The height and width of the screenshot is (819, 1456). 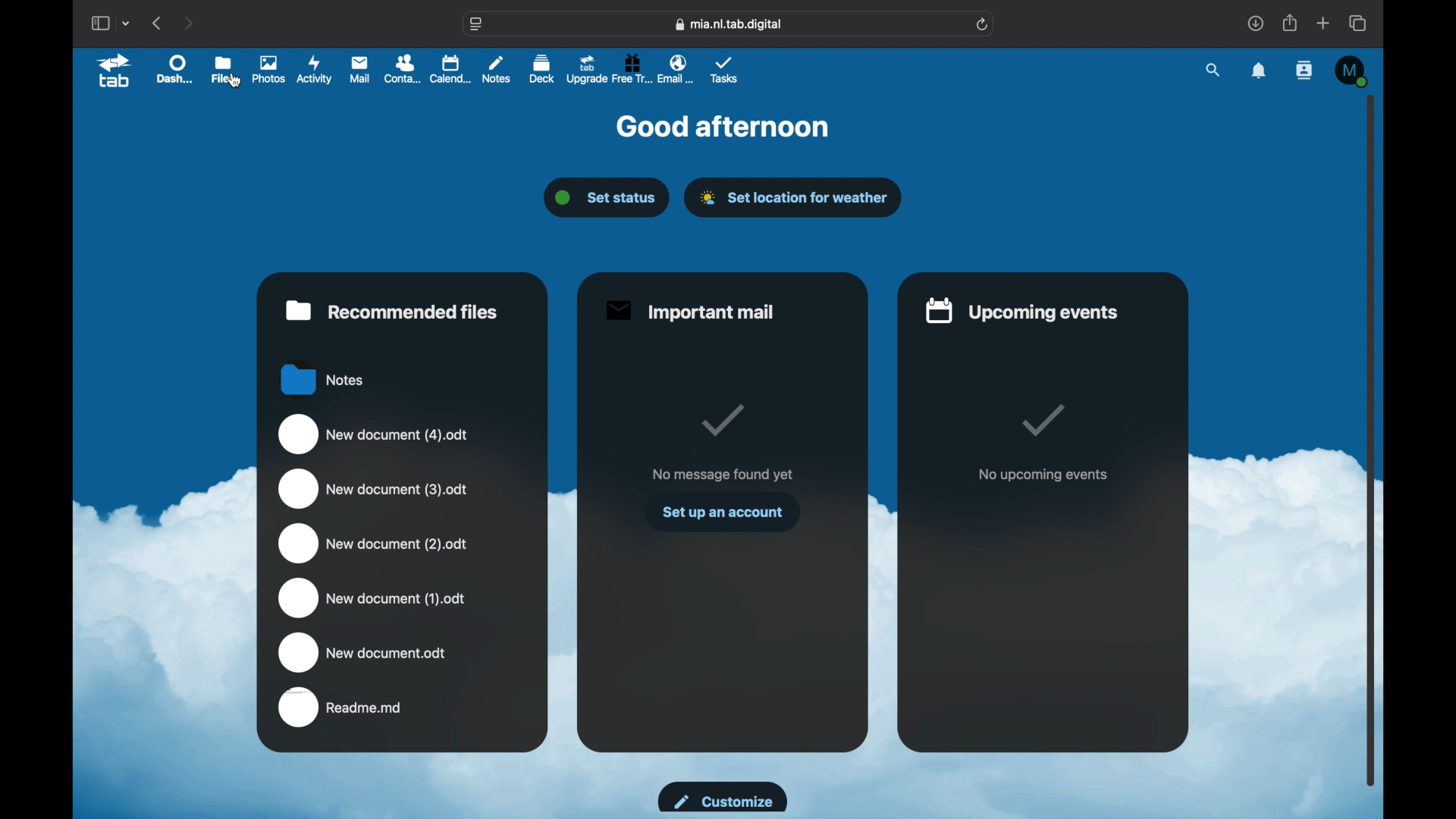 What do you see at coordinates (224, 71) in the screenshot?
I see `files` at bounding box center [224, 71].